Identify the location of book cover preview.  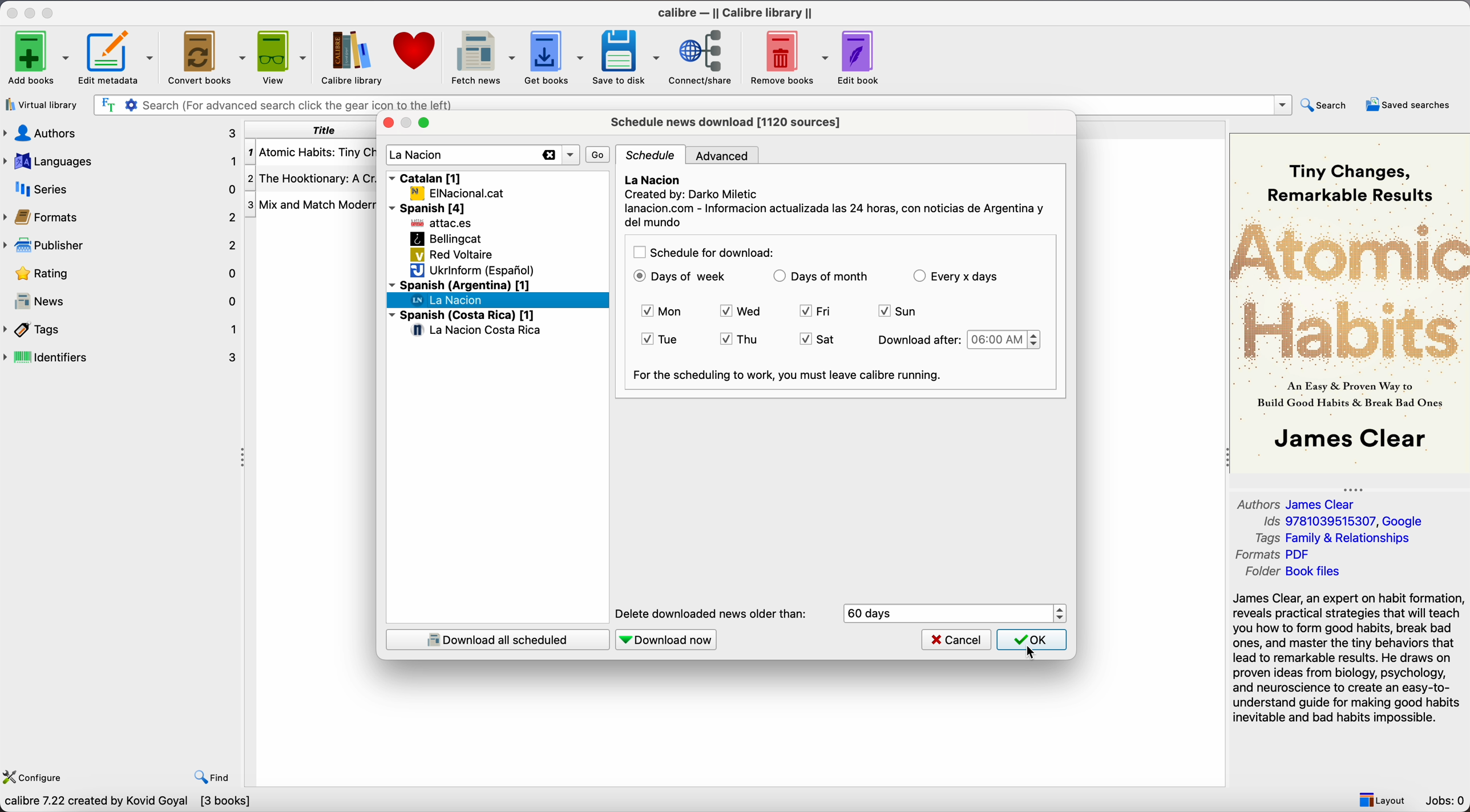
(1348, 302).